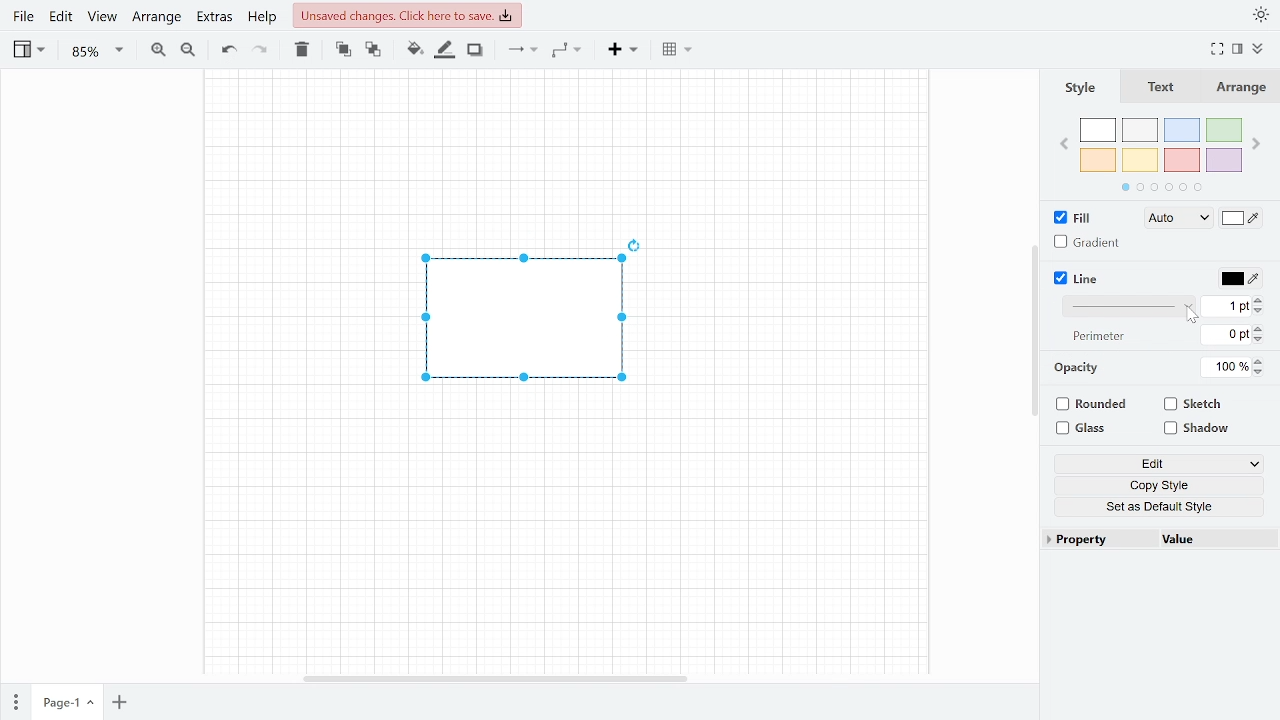 Image resolution: width=1280 pixels, height=720 pixels. What do you see at coordinates (1259, 141) in the screenshot?
I see `Next` at bounding box center [1259, 141].